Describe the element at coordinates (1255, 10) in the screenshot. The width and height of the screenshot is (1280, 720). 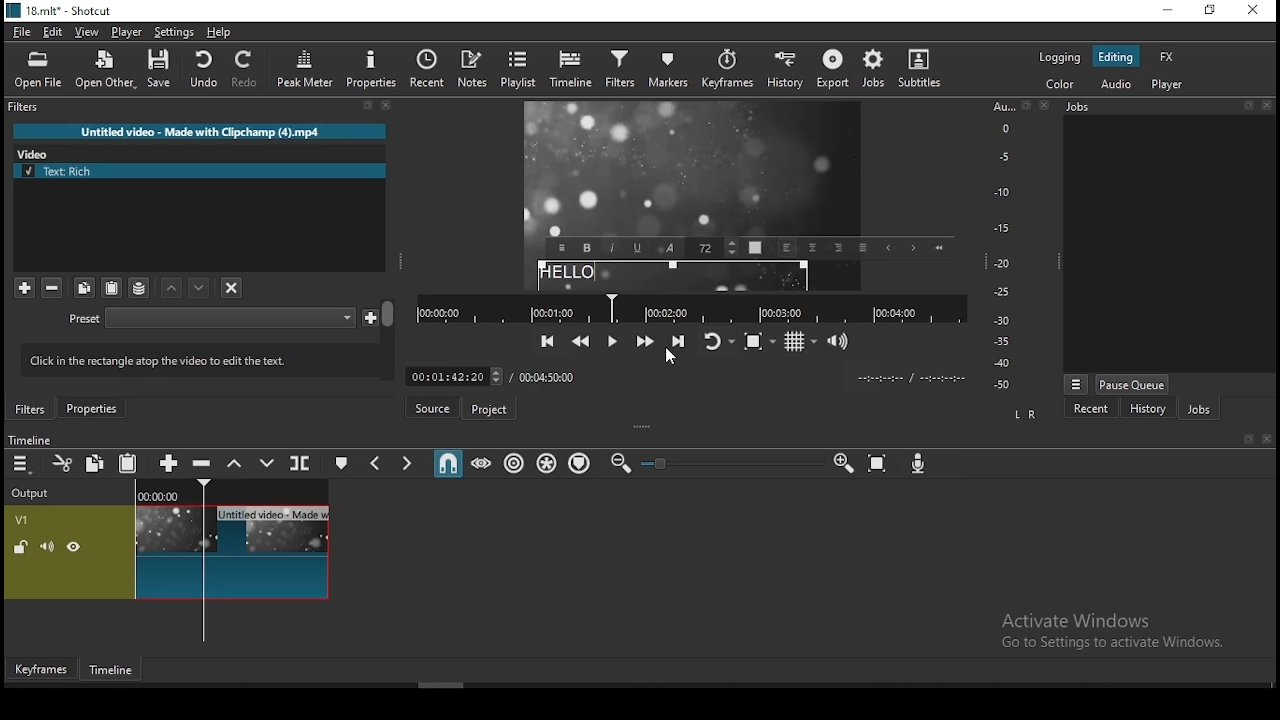
I see `close window` at that location.